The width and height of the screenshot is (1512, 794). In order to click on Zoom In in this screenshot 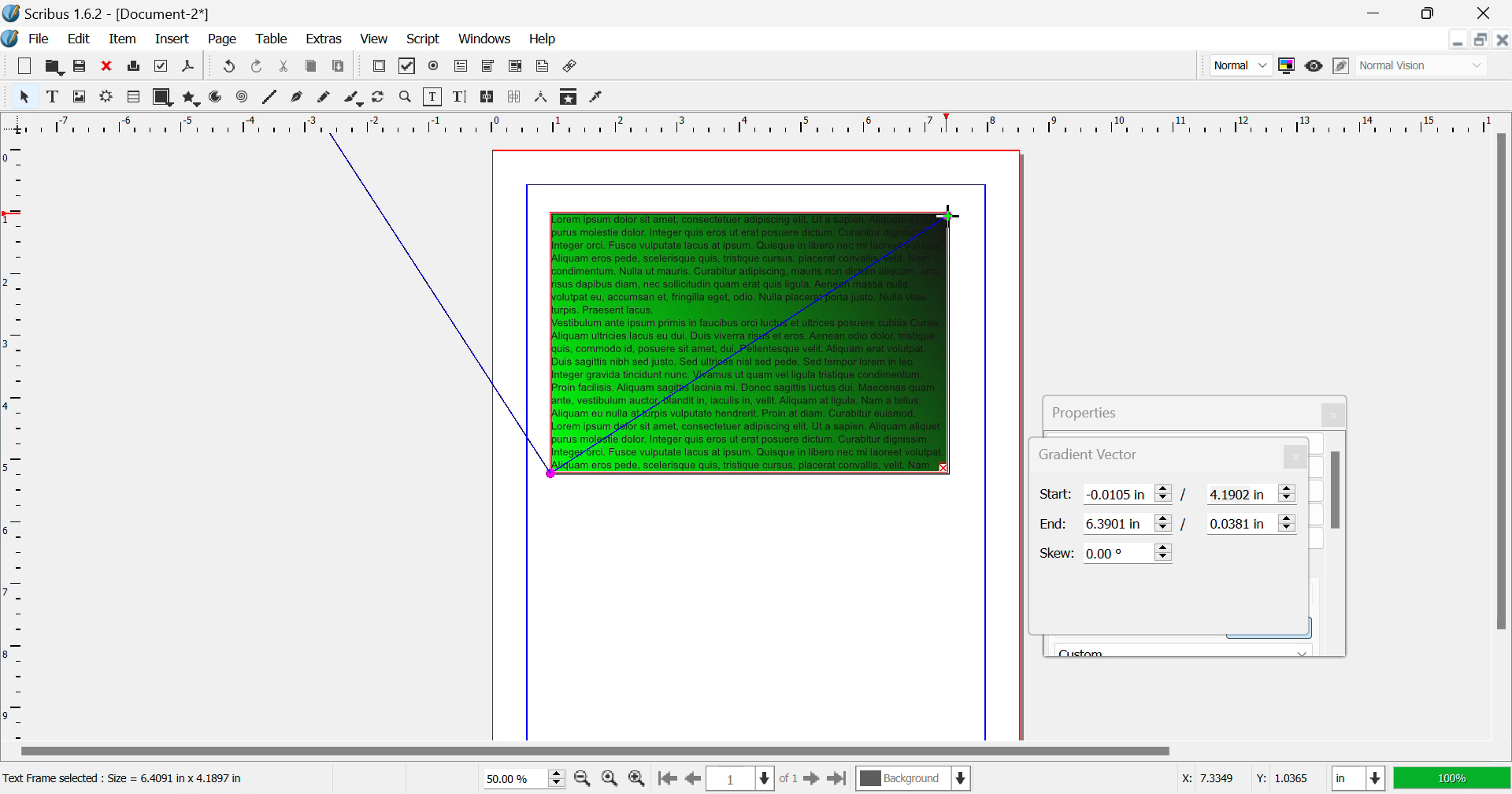, I will do `click(638, 779)`.